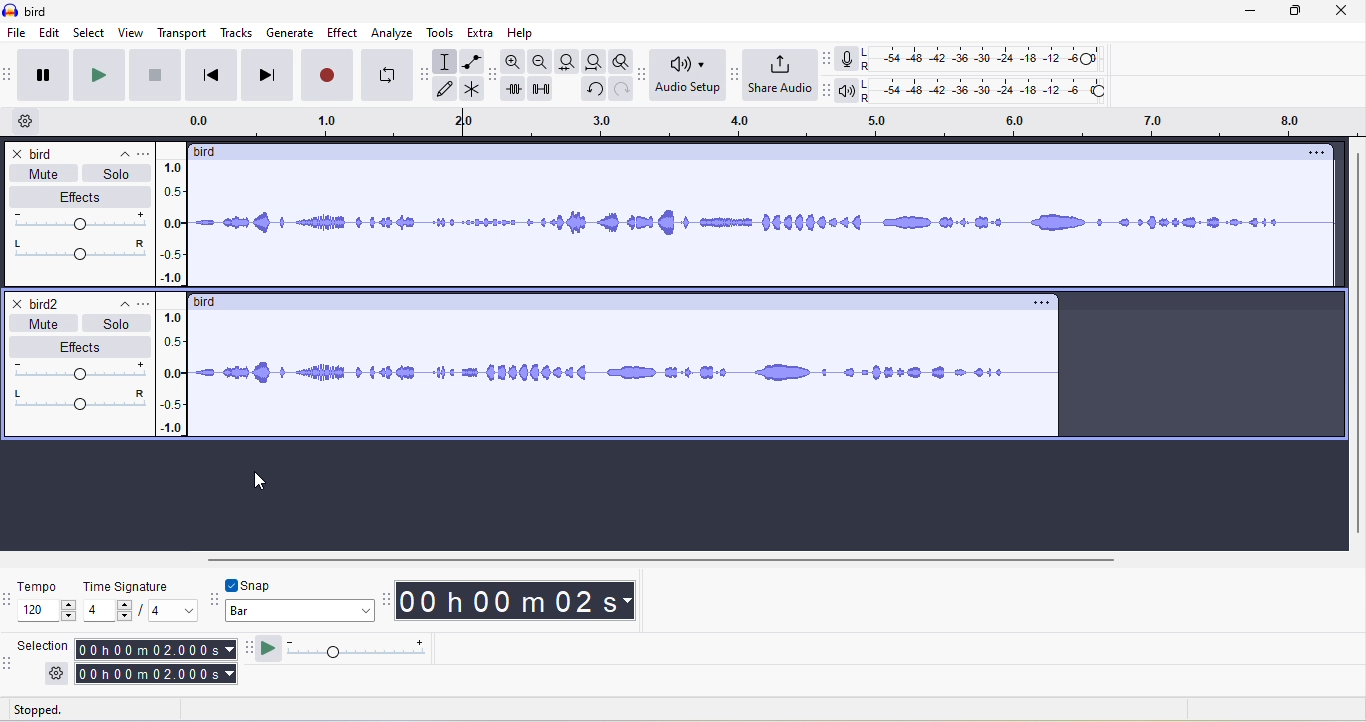 The image size is (1366, 722). I want to click on cursor, so click(259, 483).